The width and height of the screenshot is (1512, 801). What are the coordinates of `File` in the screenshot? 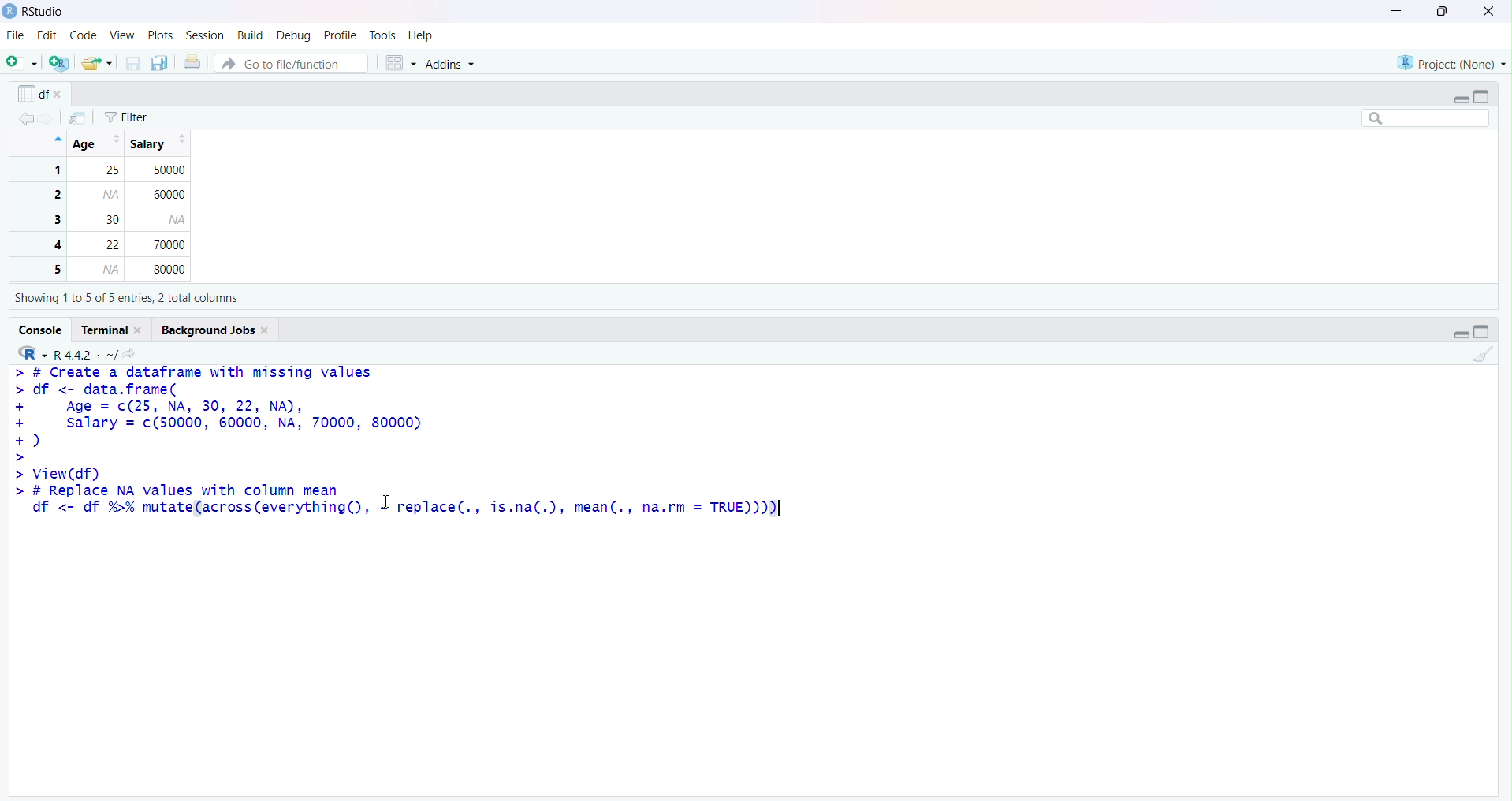 It's located at (14, 35).